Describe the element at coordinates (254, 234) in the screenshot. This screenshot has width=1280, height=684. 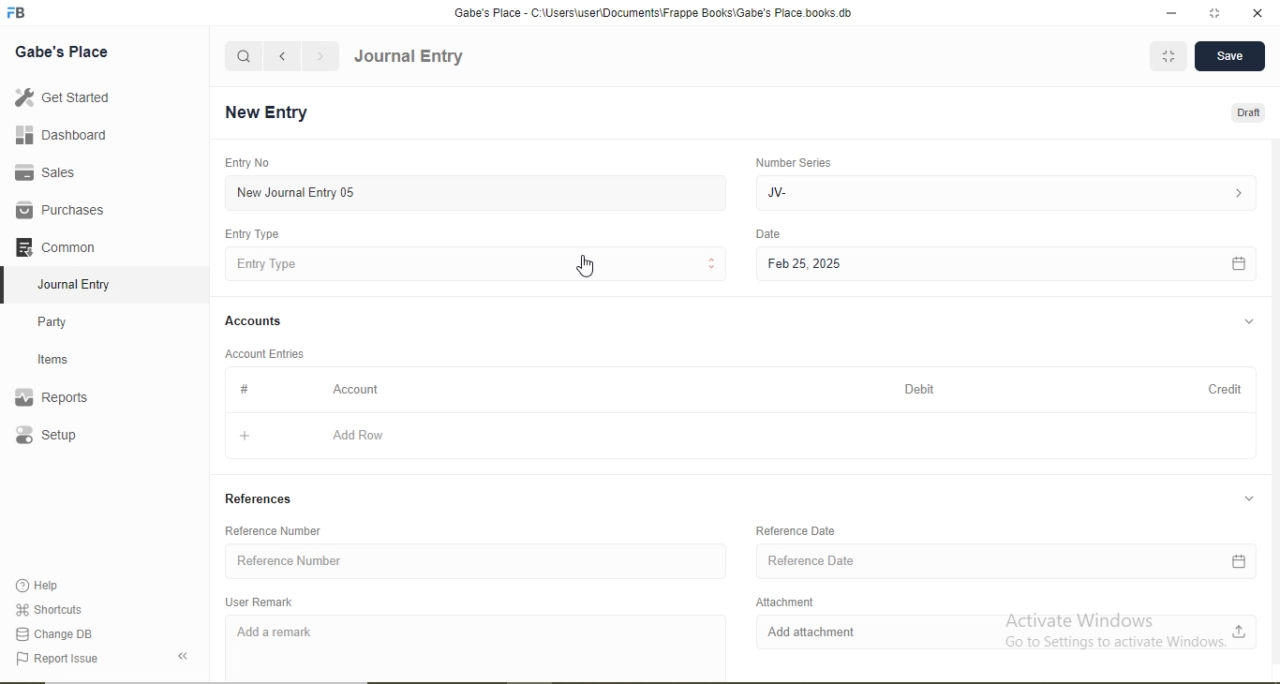
I see `Entry Type` at that location.